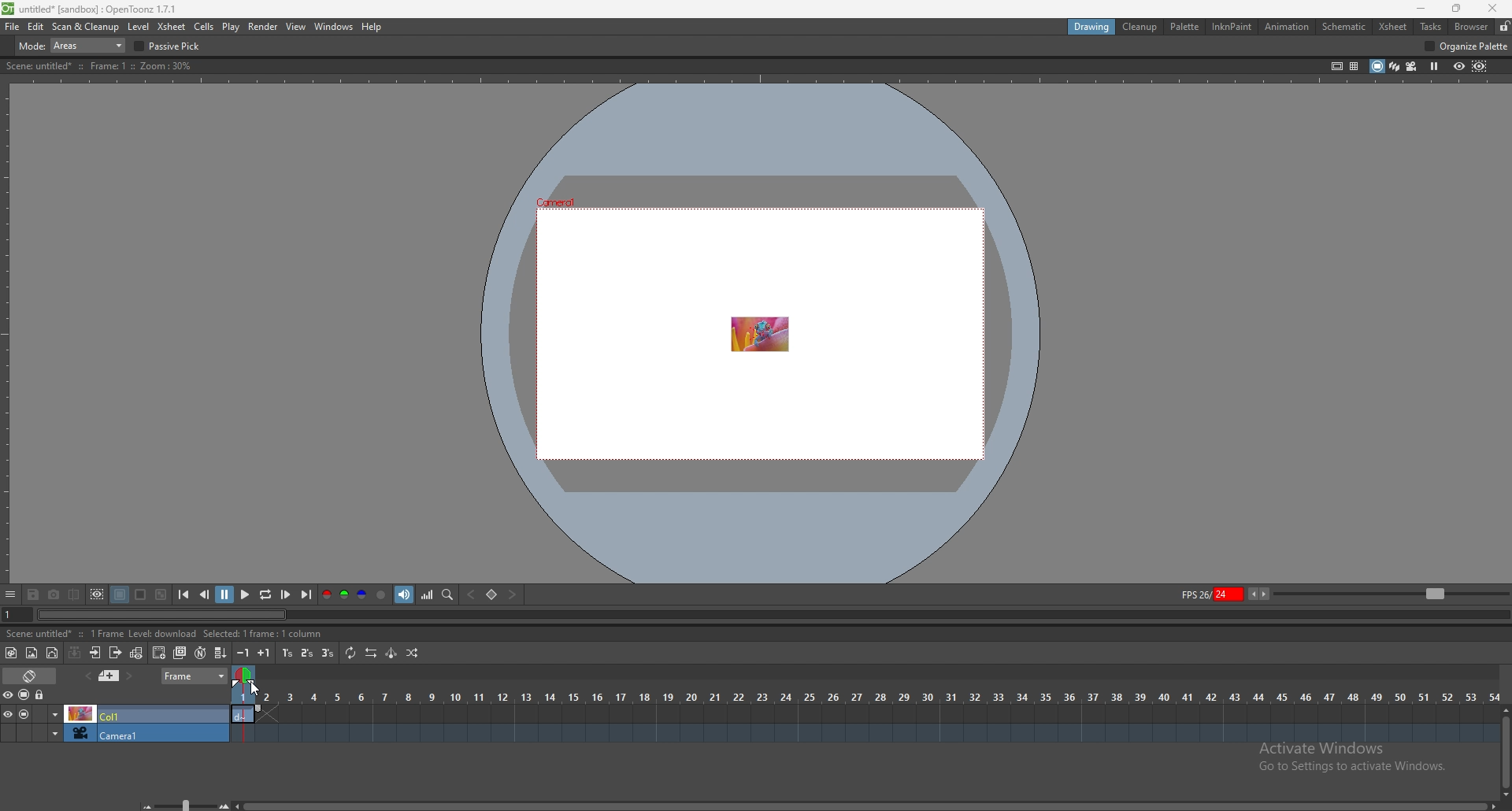 This screenshot has height=811, width=1512. What do you see at coordinates (180, 653) in the screenshot?
I see `duplicate drawing` at bounding box center [180, 653].